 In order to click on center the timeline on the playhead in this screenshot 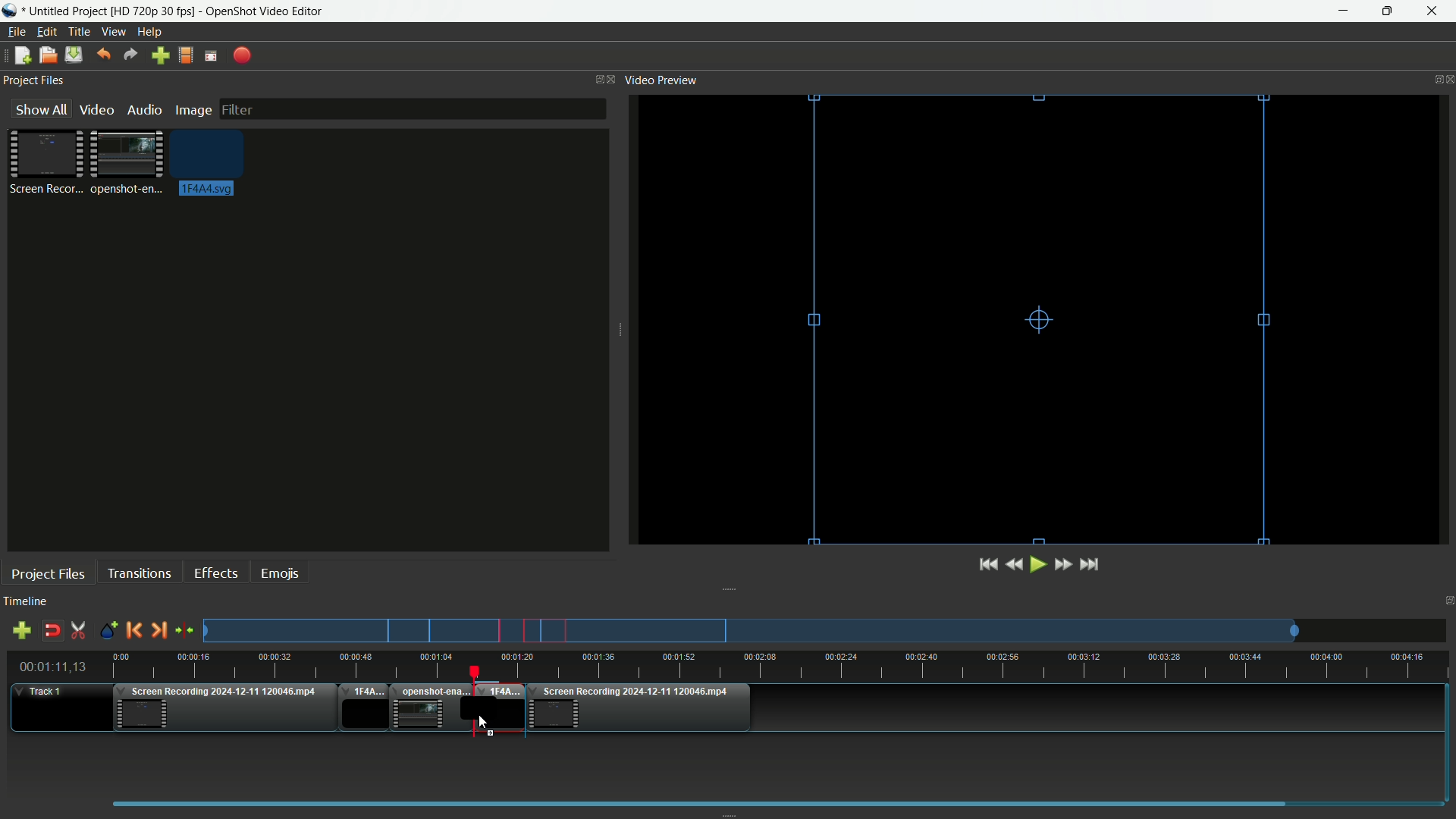, I will do `click(185, 631)`.